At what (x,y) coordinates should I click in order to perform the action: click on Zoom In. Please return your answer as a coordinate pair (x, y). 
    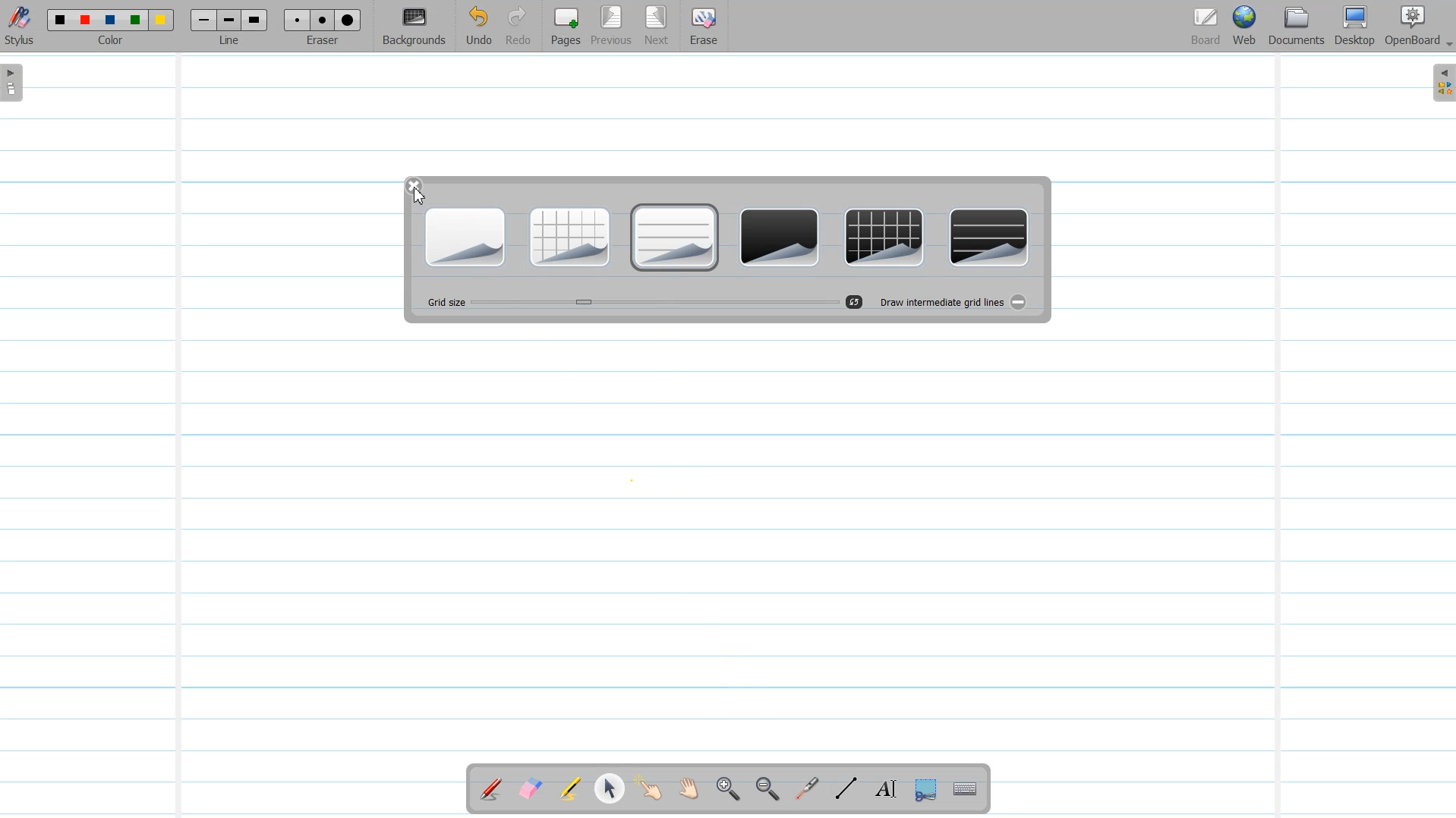
    Looking at the image, I should click on (727, 790).